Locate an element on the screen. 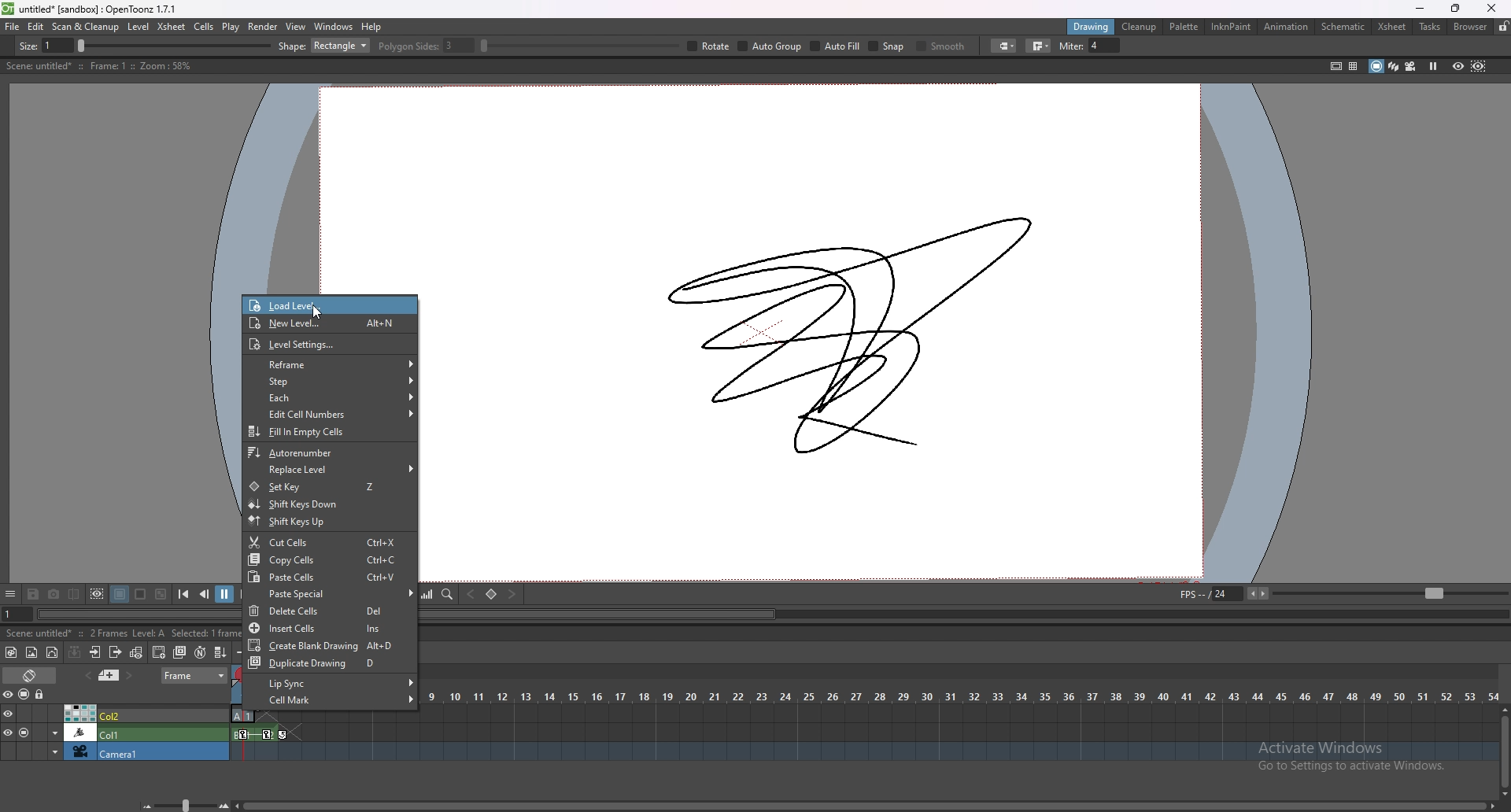 The image size is (1511, 812). create blank drawing is located at coordinates (330, 645).